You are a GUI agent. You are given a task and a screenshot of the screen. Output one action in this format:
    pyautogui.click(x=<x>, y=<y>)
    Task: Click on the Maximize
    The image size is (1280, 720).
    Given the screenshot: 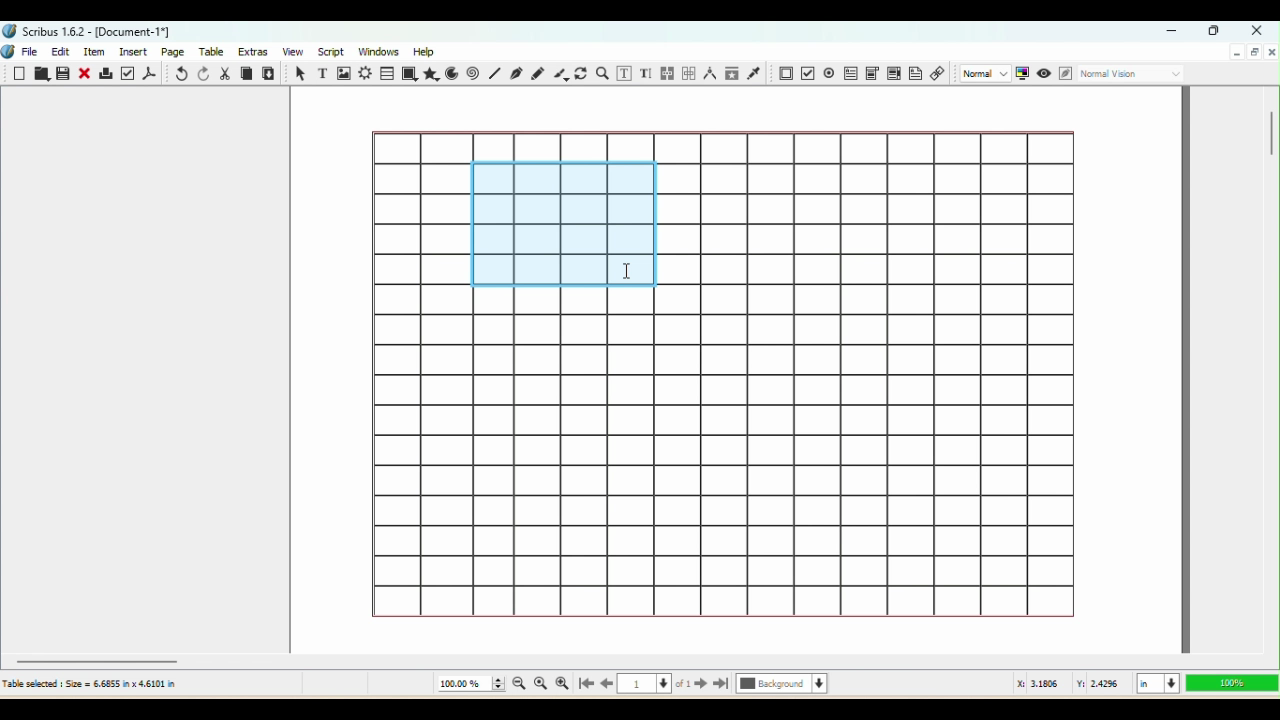 What is the action you would take?
    pyautogui.click(x=1254, y=53)
    